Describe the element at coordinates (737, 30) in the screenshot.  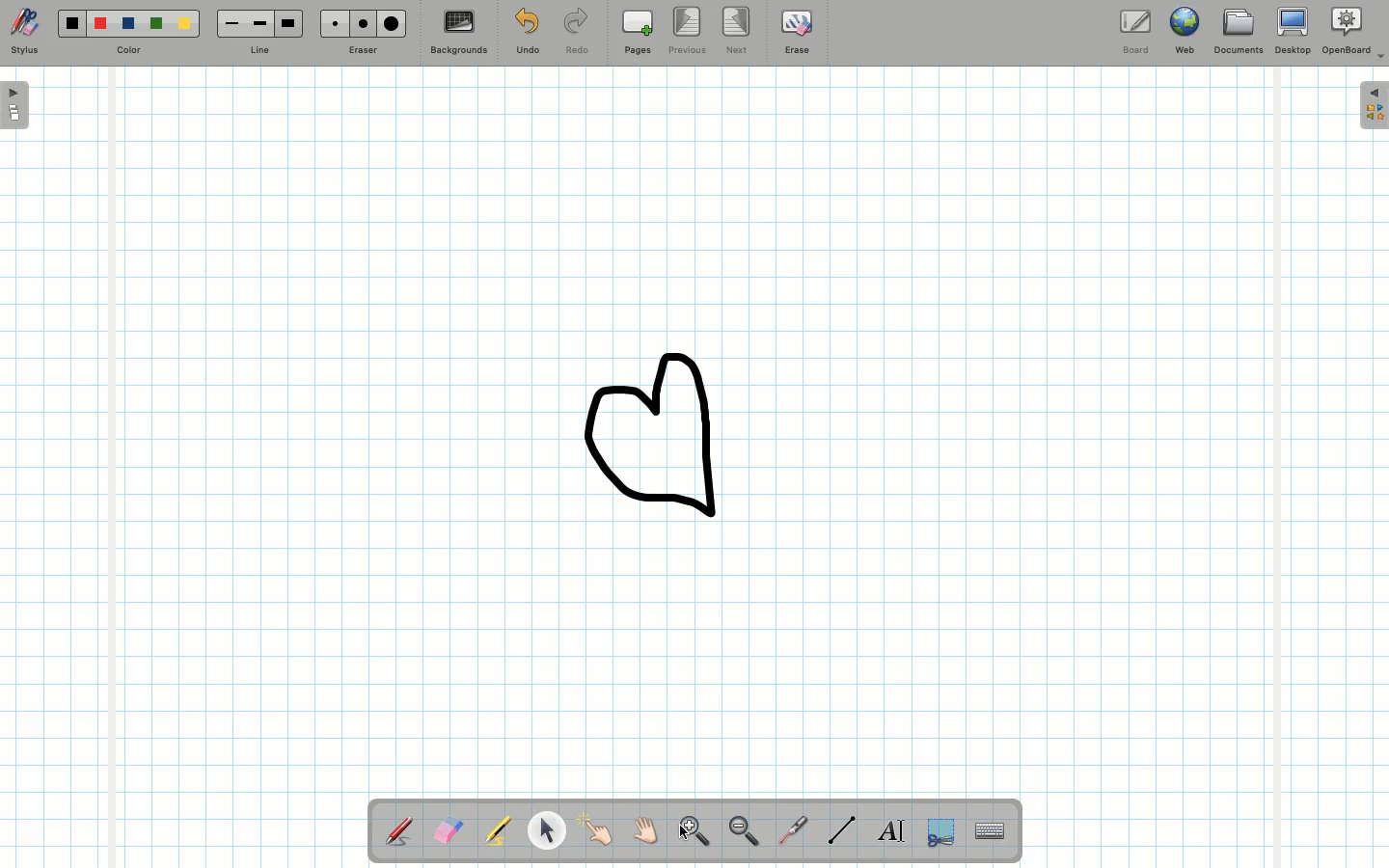
I see `Next` at that location.